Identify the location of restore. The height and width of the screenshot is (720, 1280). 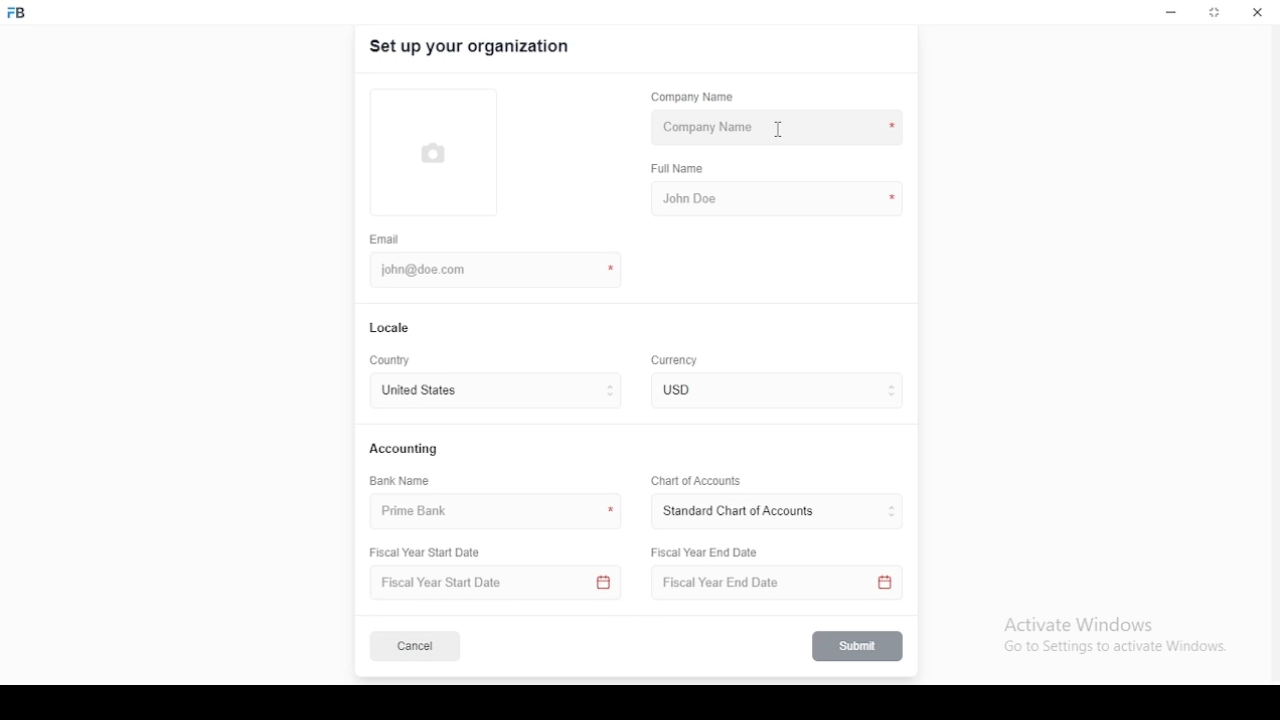
(1216, 14).